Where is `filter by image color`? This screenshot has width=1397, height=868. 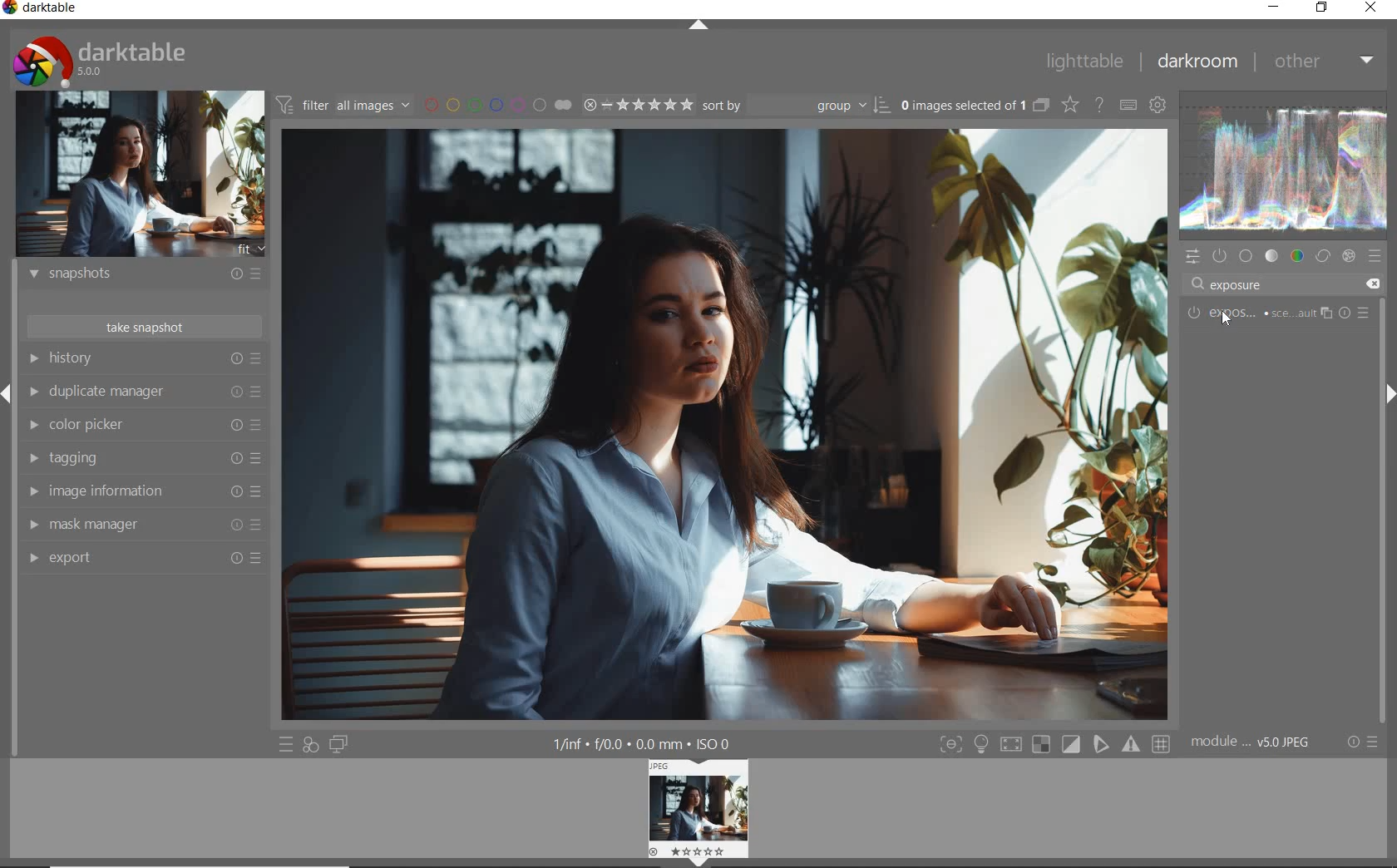
filter by image color is located at coordinates (498, 105).